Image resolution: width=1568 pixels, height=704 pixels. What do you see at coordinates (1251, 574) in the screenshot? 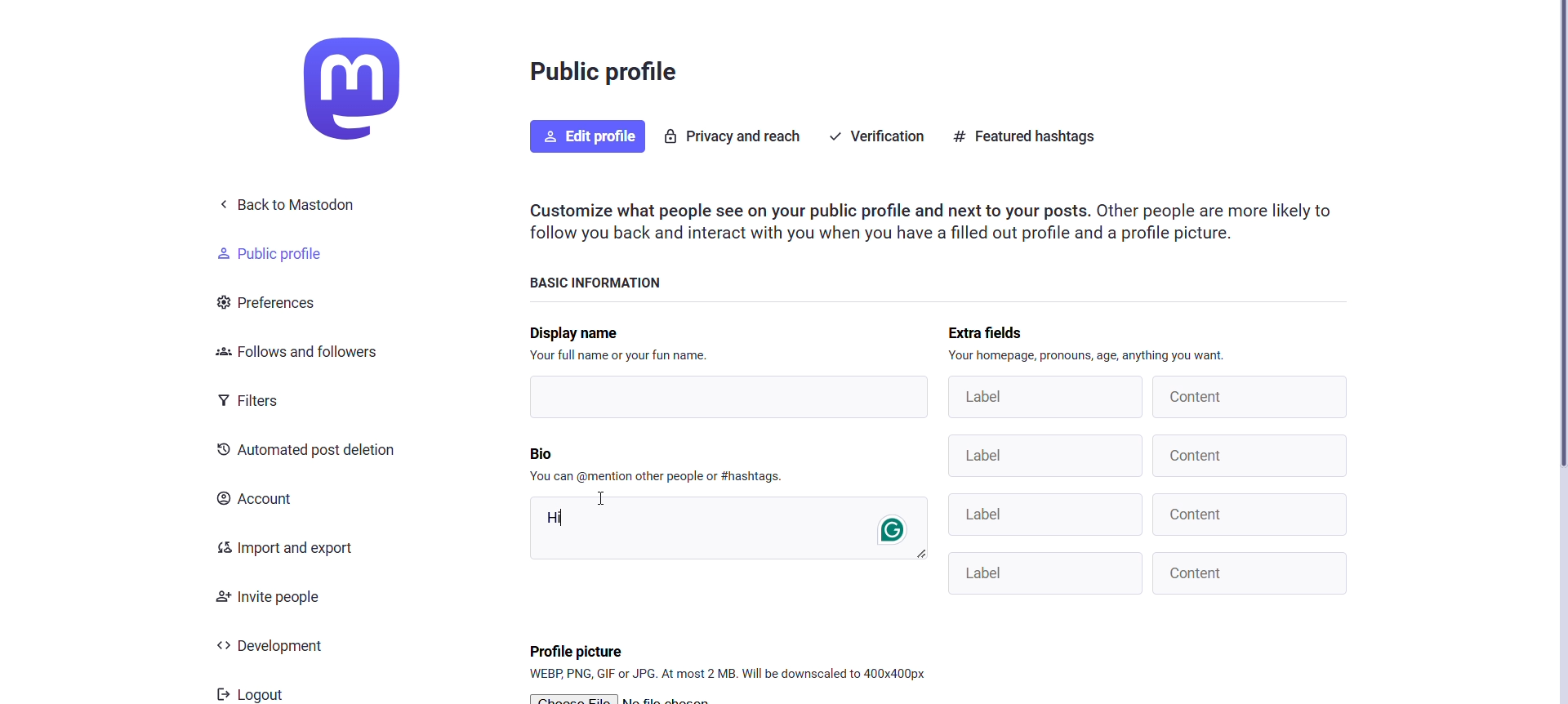
I see `Content` at bounding box center [1251, 574].